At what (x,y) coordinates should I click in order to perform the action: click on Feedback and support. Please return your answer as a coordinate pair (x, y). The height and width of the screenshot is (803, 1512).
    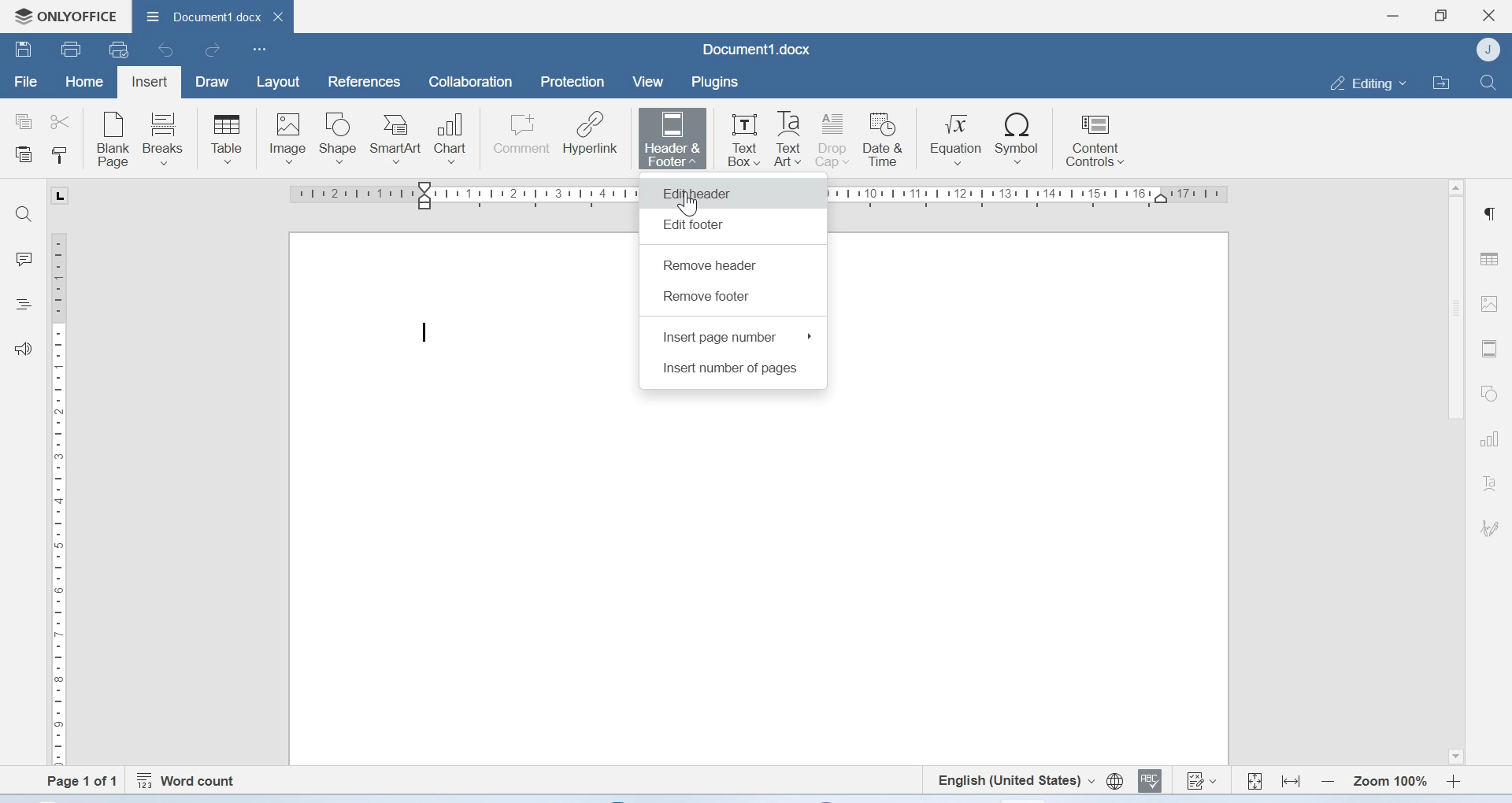
    Looking at the image, I should click on (24, 348).